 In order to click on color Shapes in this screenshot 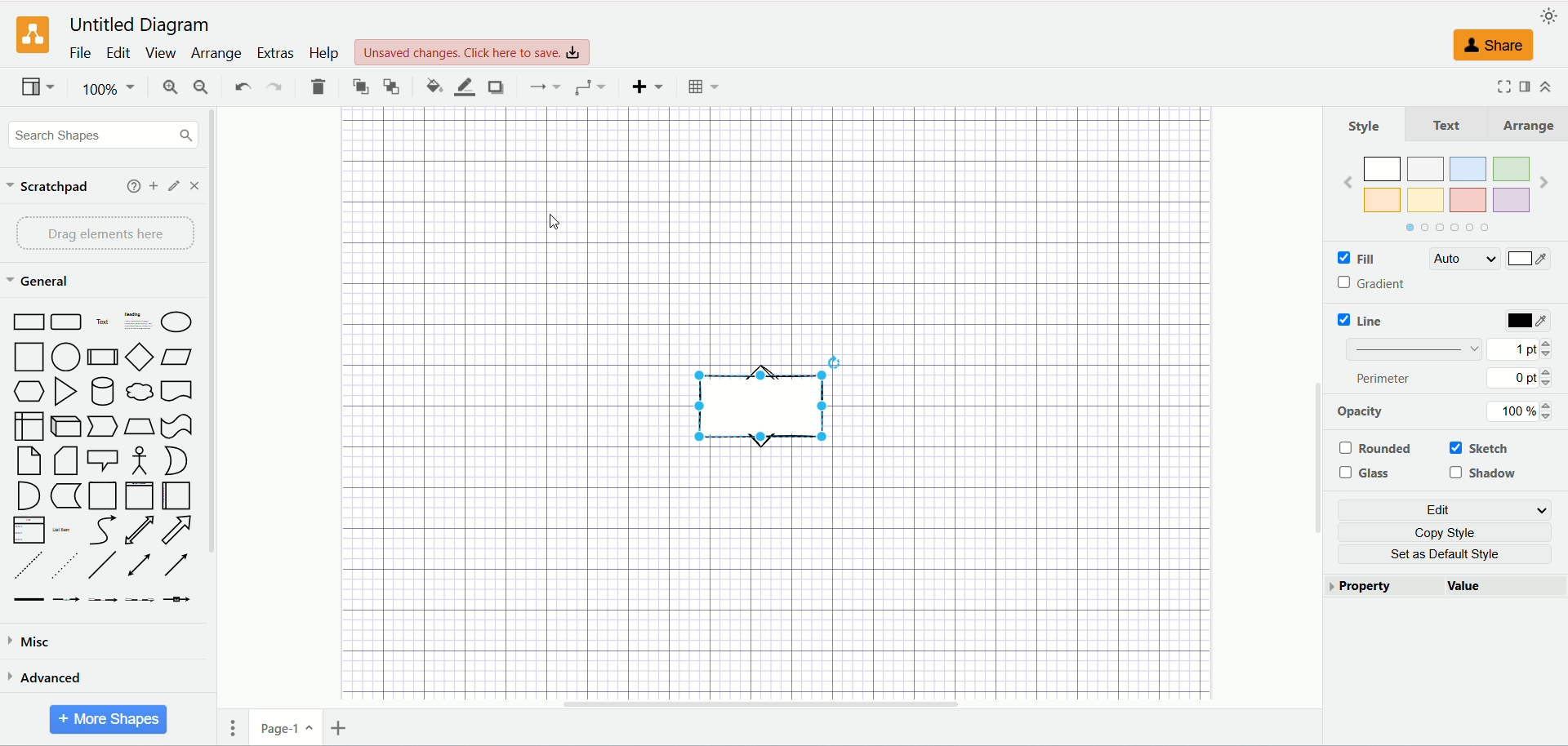, I will do `click(1442, 193)`.